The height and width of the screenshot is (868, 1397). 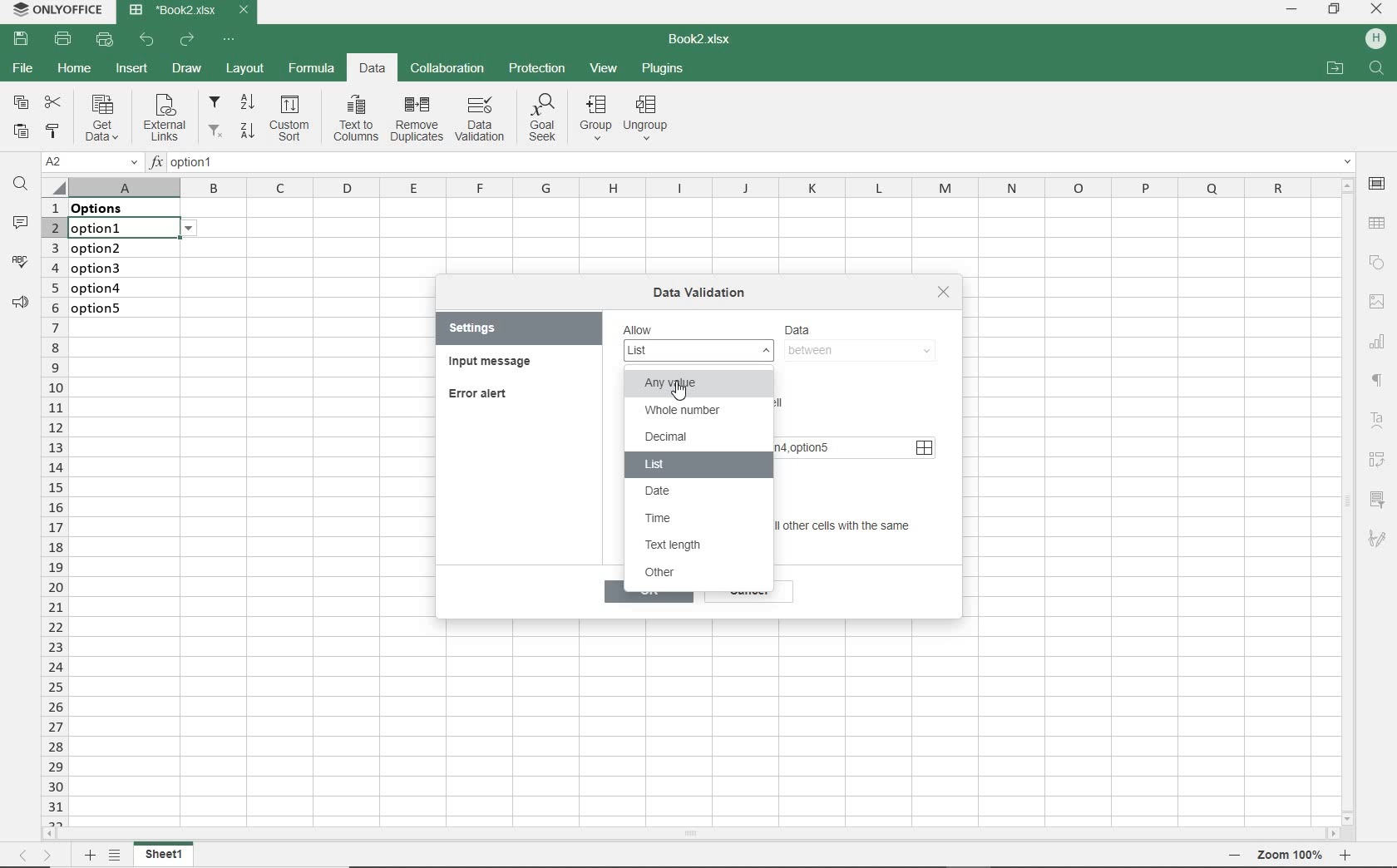 I want to click on SCROLLBAR, so click(x=691, y=832).